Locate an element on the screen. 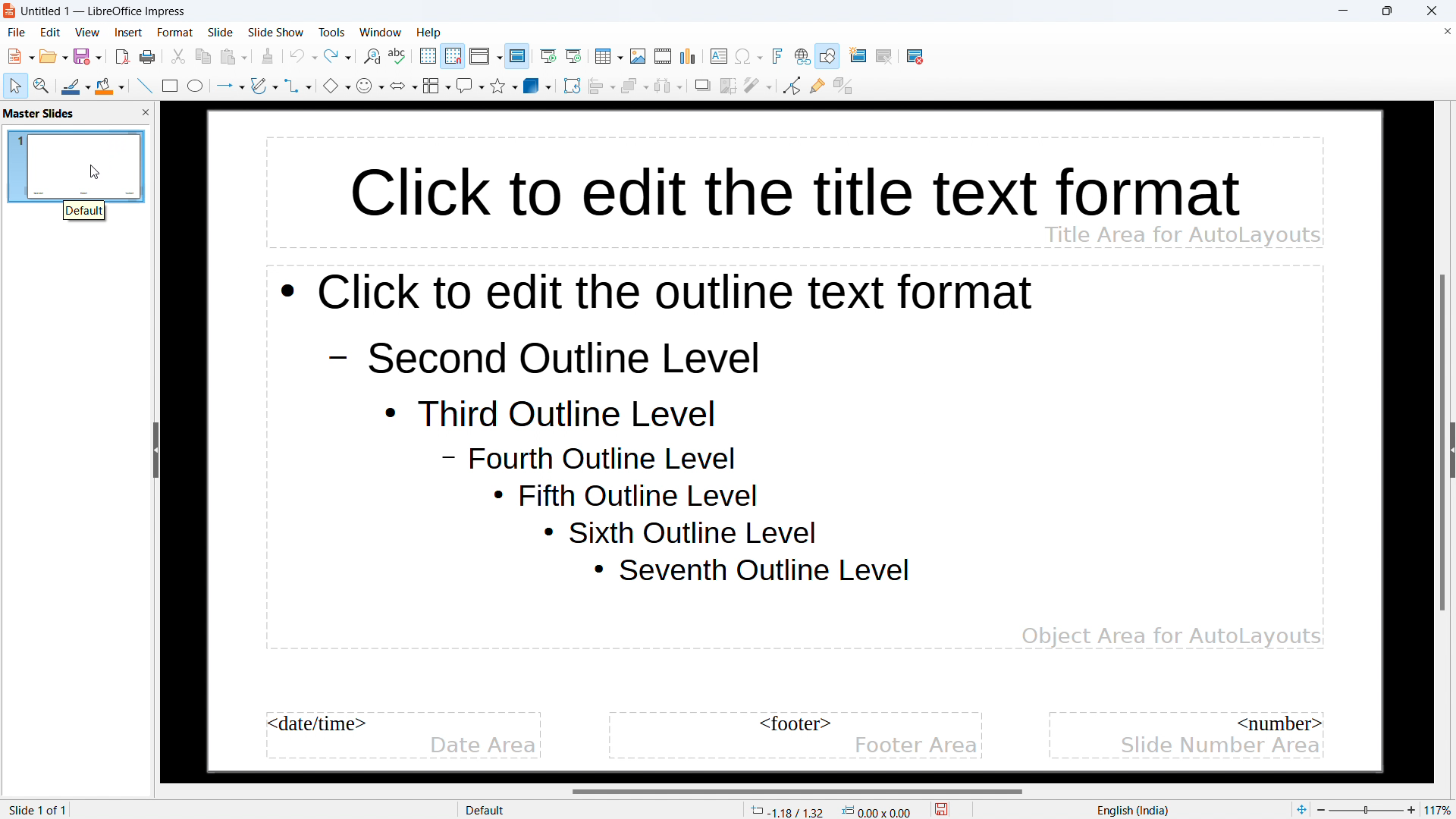  curves and polygons is located at coordinates (265, 86).